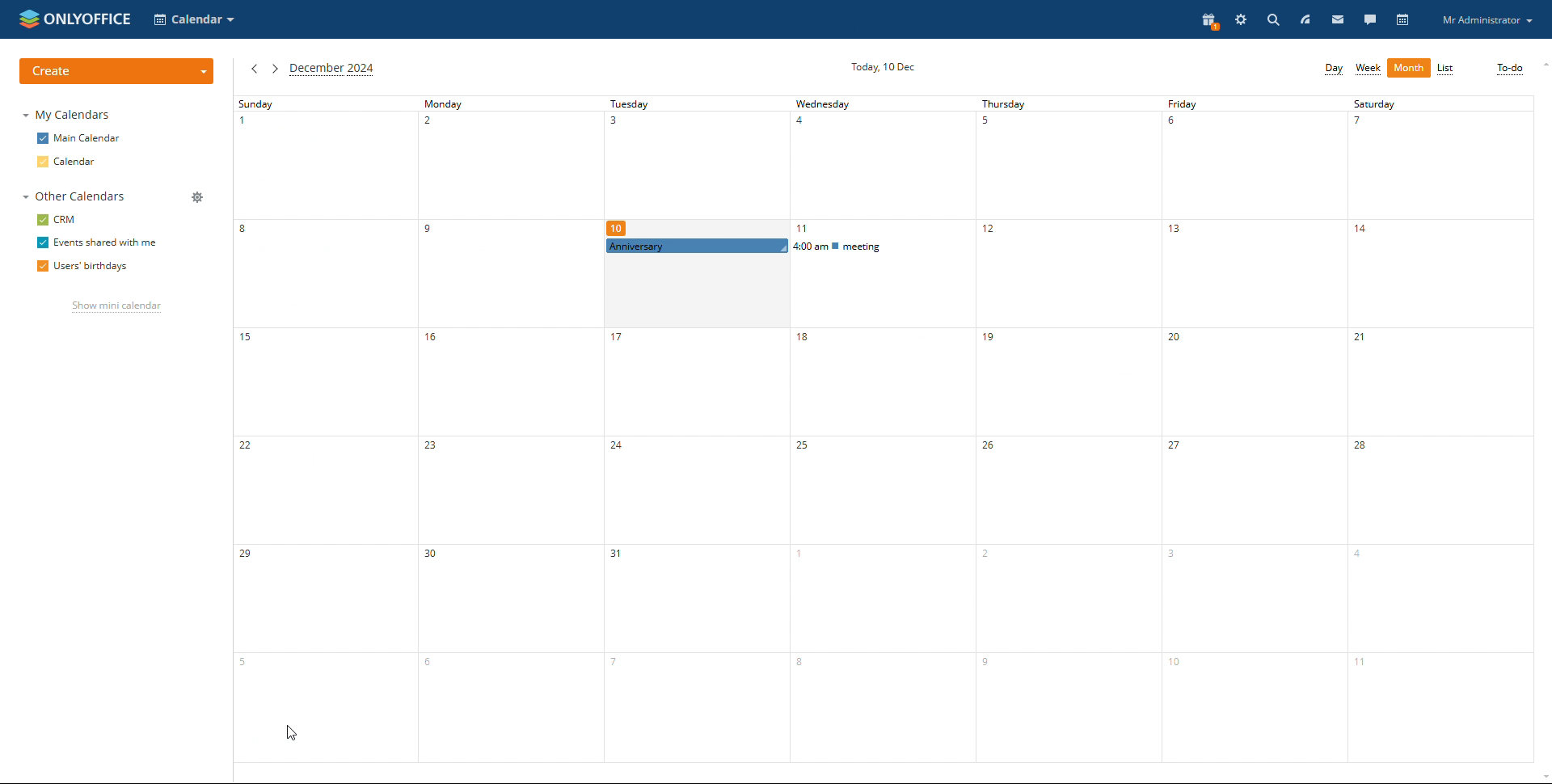 Image resolution: width=1552 pixels, height=784 pixels. I want to click on calendar, so click(1403, 20).